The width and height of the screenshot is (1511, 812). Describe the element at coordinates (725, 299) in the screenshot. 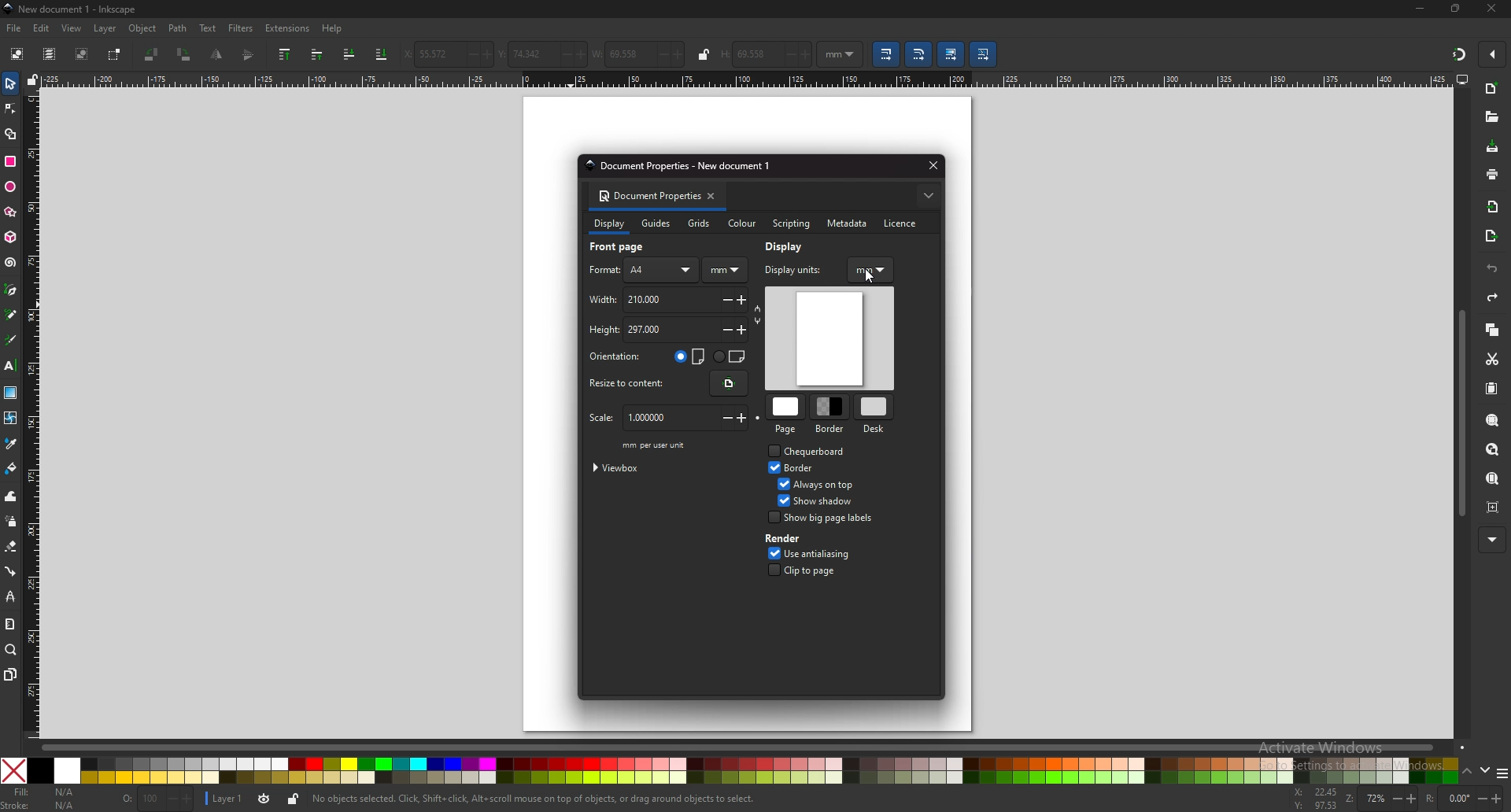

I see `-` at that location.